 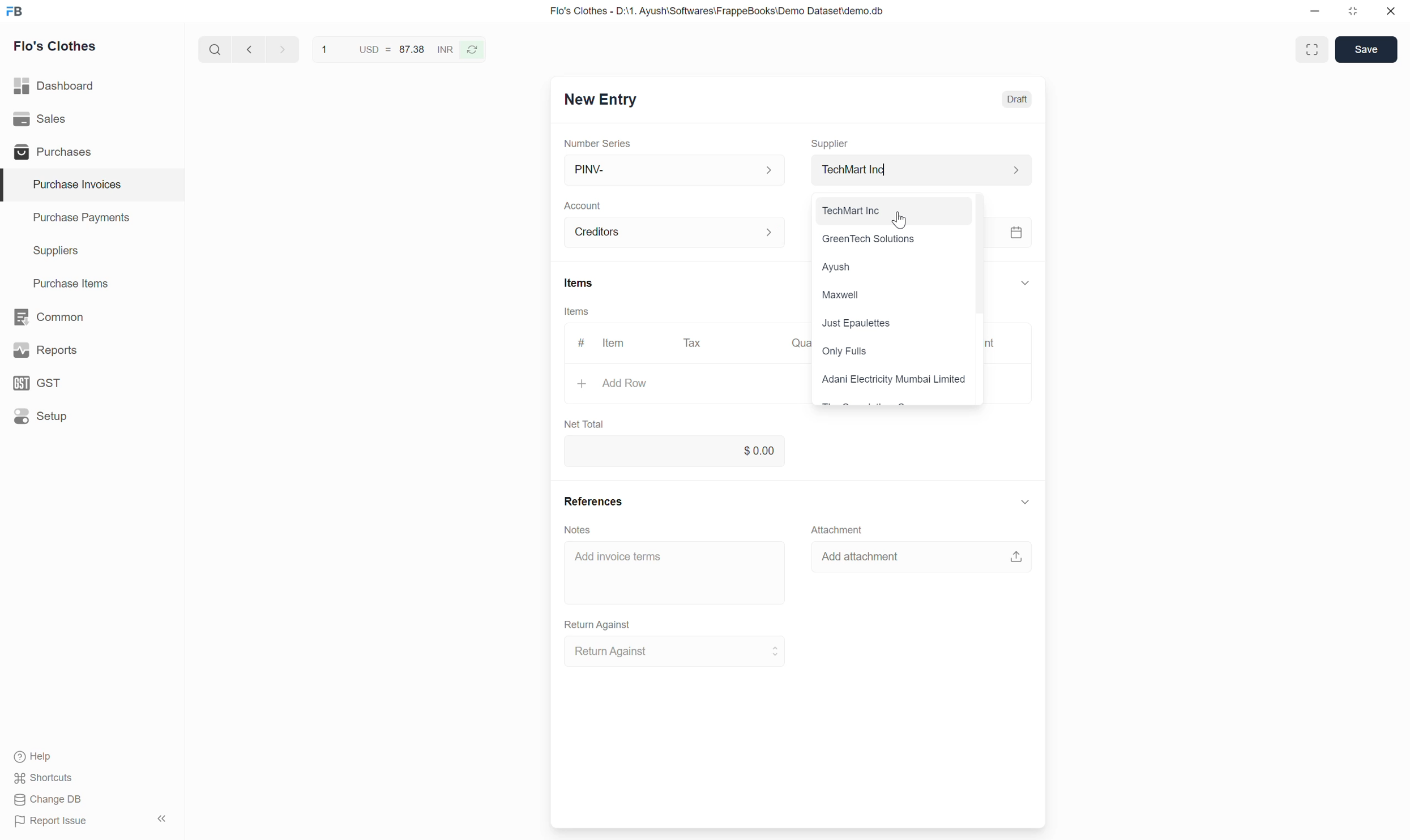 What do you see at coordinates (902, 215) in the screenshot?
I see `cursor` at bounding box center [902, 215].